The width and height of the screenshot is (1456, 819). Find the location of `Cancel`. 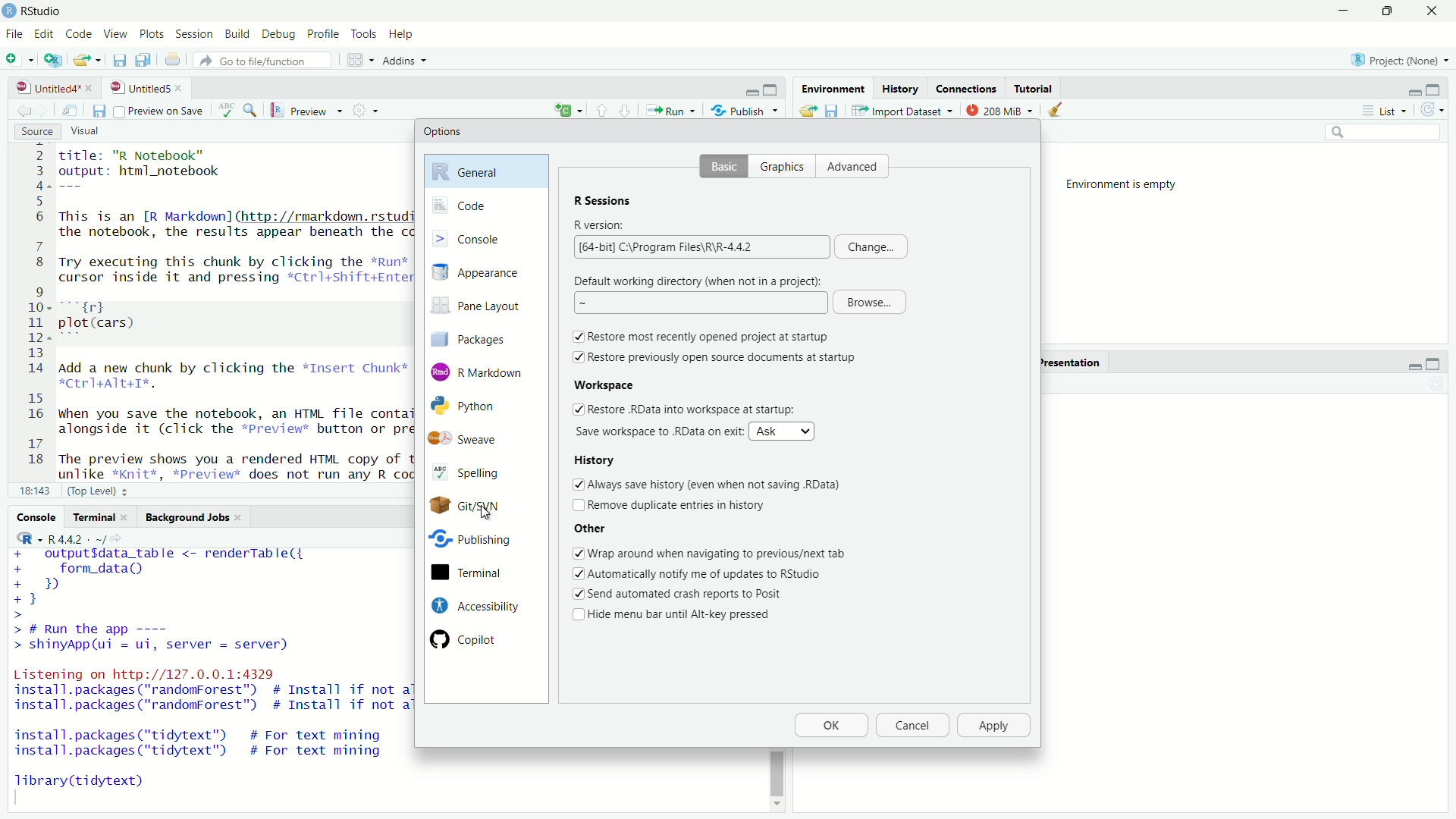

Cancel is located at coordinates (911, 726).